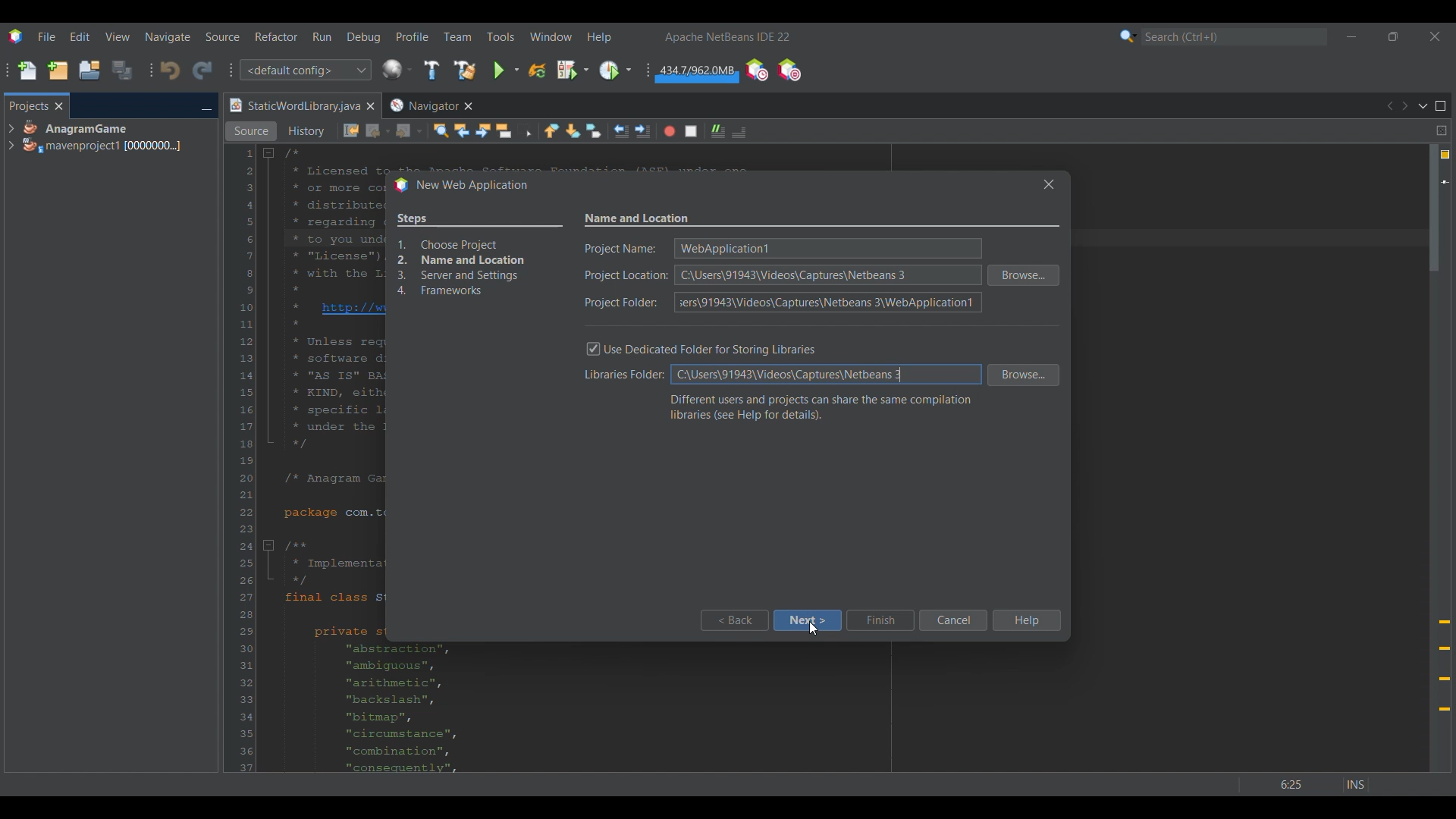  I want to click on Toggle highlight search, so click(504, 130).